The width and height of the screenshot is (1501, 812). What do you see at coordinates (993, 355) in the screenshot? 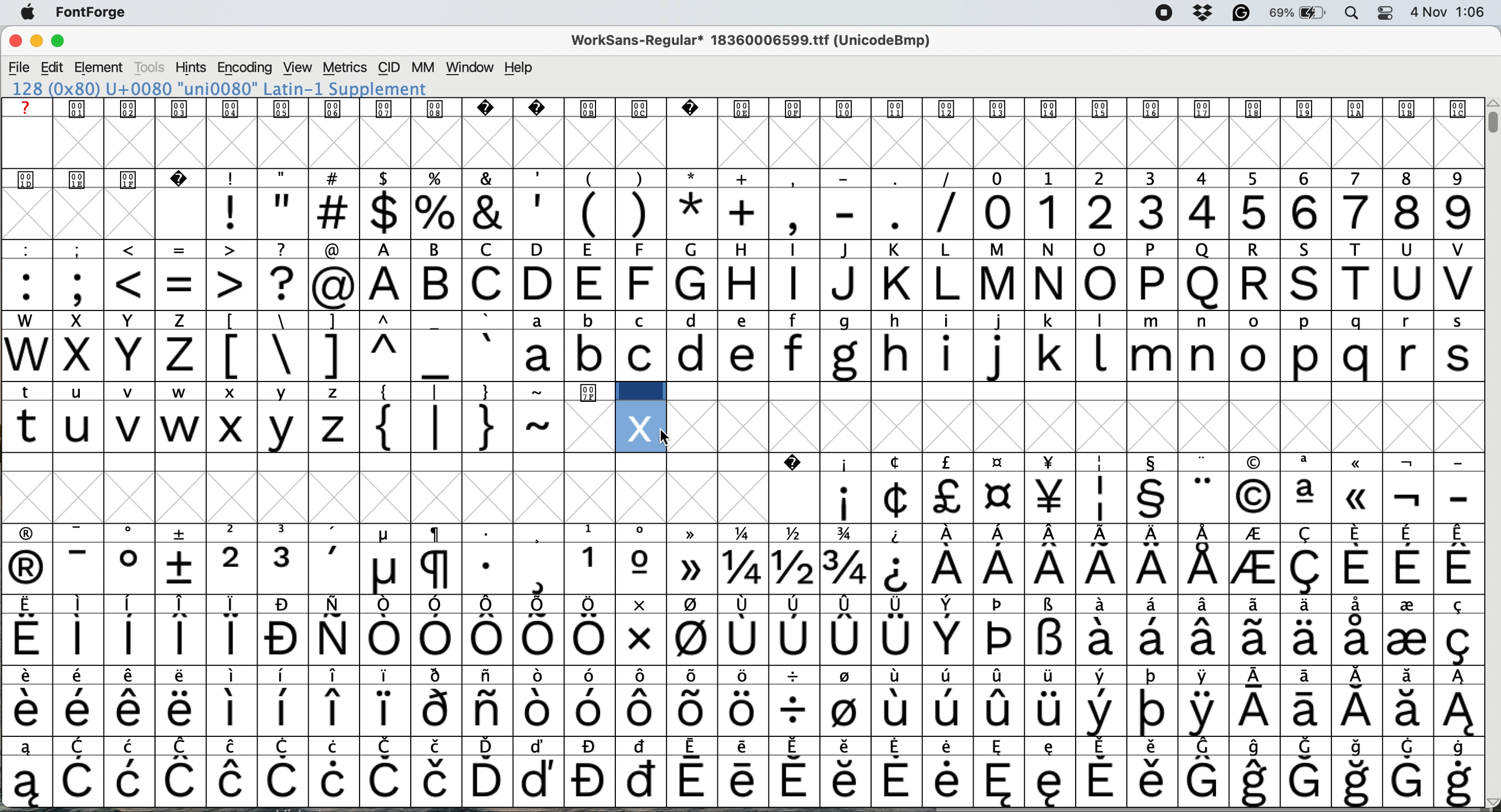
I see `lower case letters a to s` at bounding box center [993, 355].